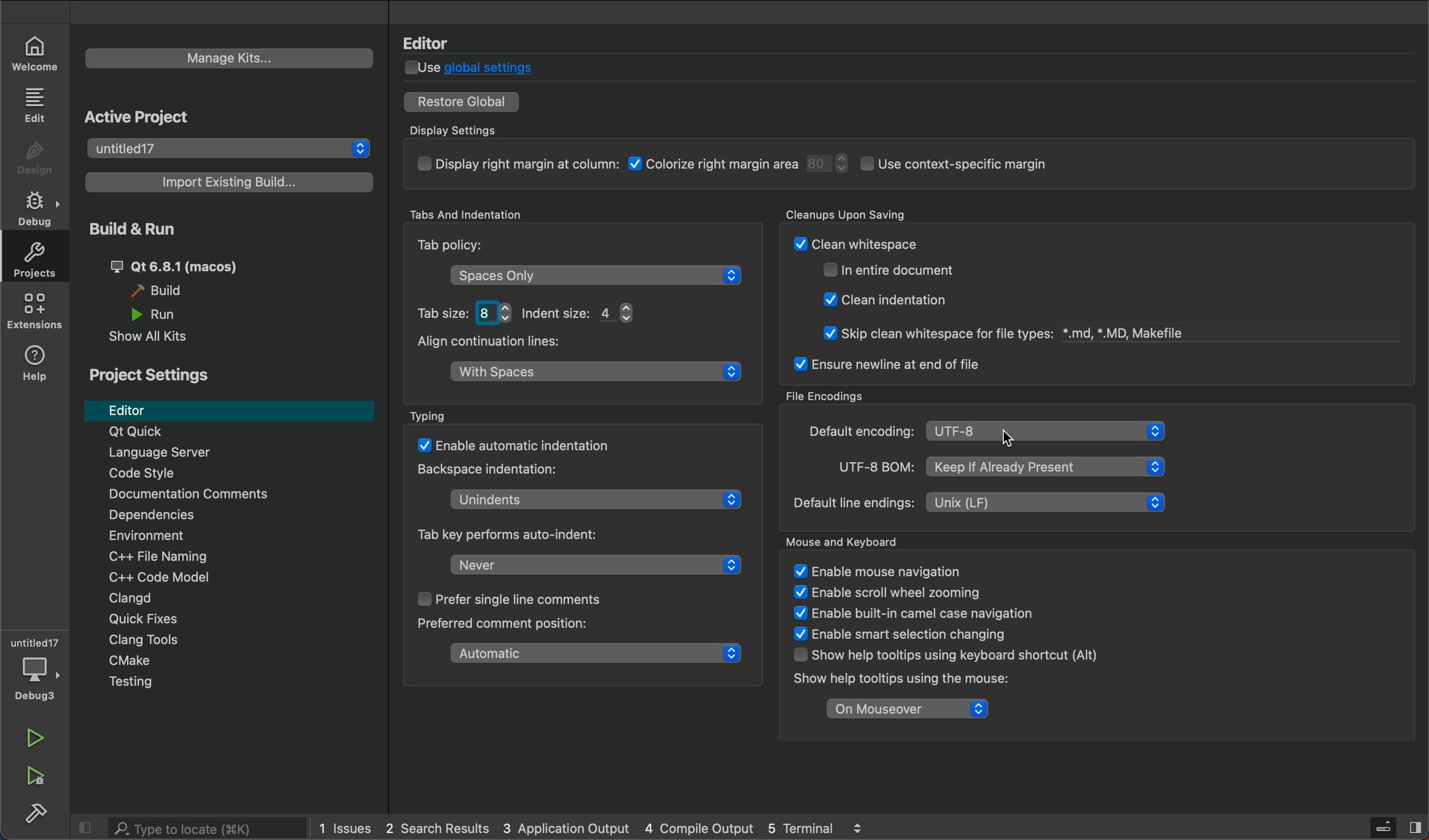 The height and width of the screenshot is (840, 1429). Describe the element at coordinates (503, 342) in the screenshot. I see `Align continuation lines:` at that location.